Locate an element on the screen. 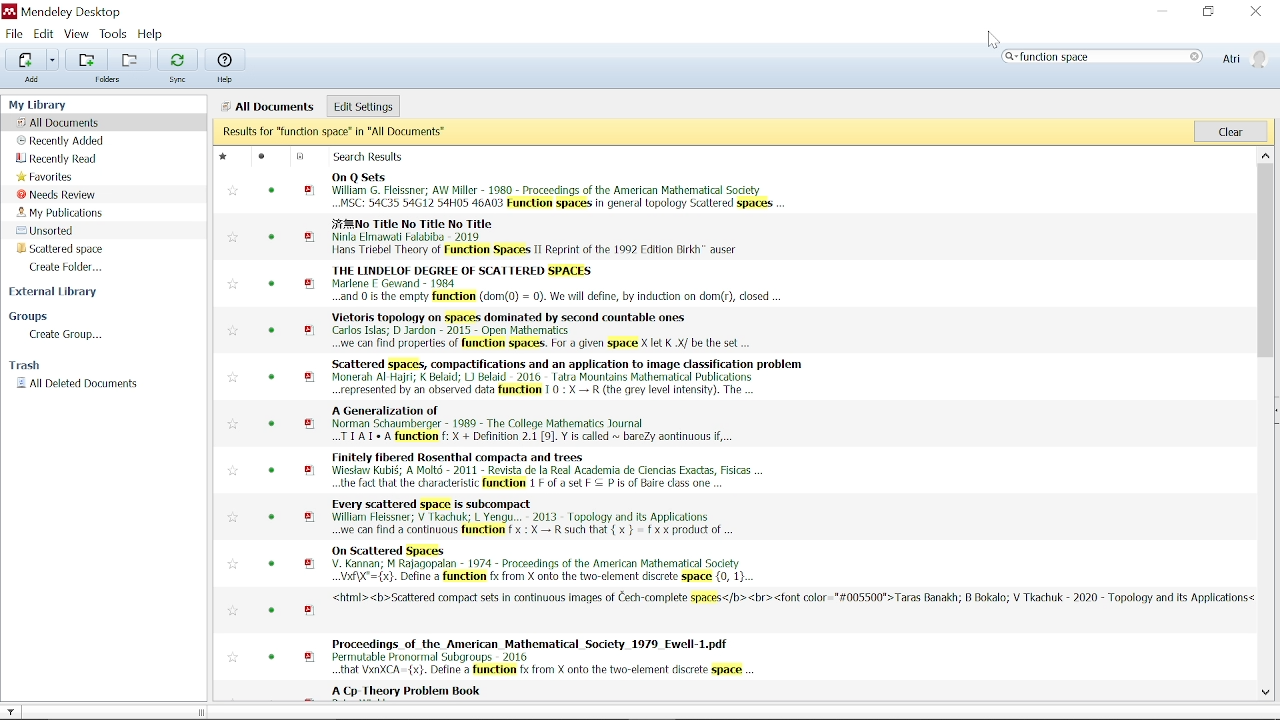  Results for “function space” in "All Documents” is located at coordinates (703, 133).